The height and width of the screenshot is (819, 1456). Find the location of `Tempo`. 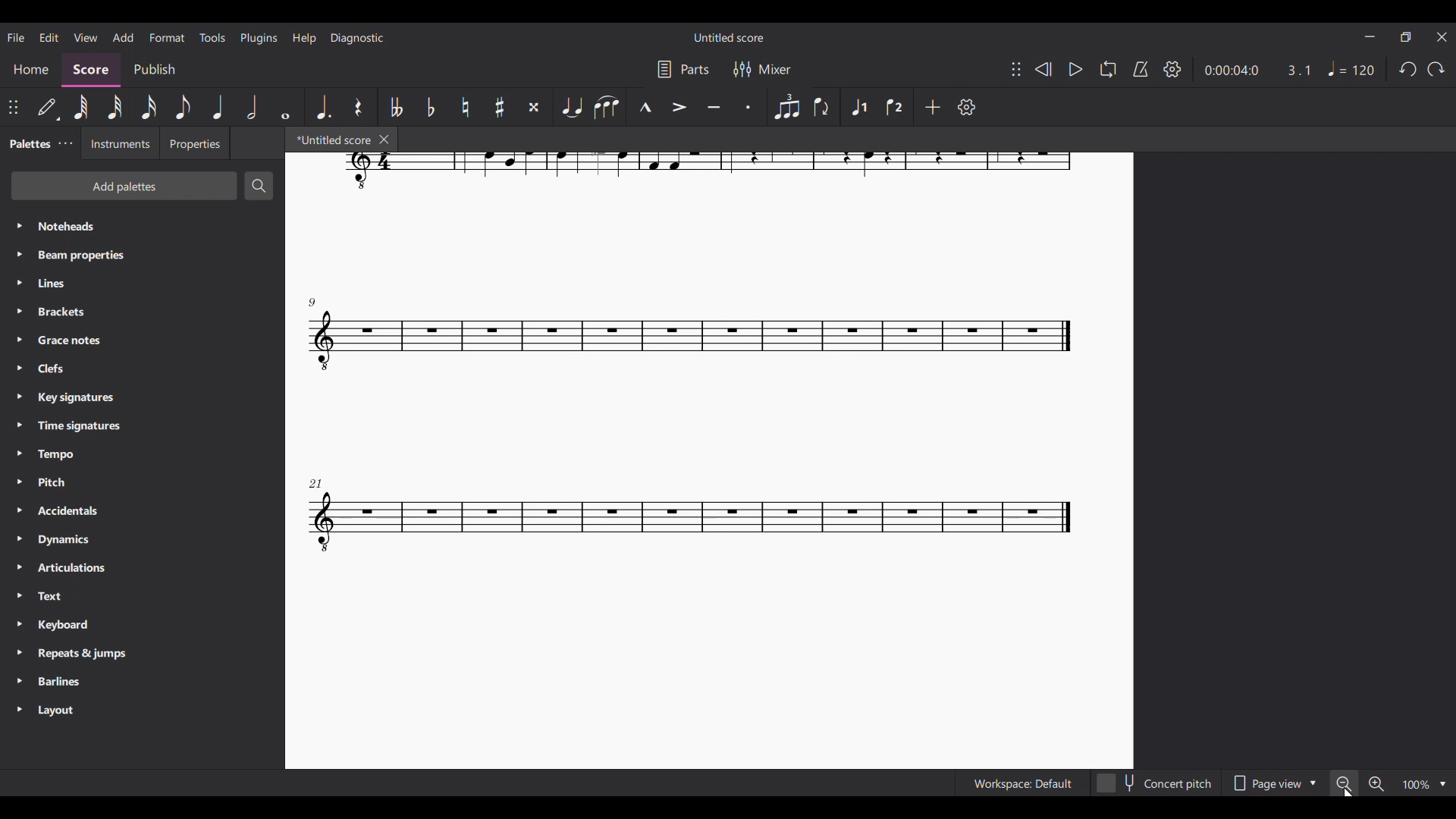

Tempo is located at coordinates (1353, 68).